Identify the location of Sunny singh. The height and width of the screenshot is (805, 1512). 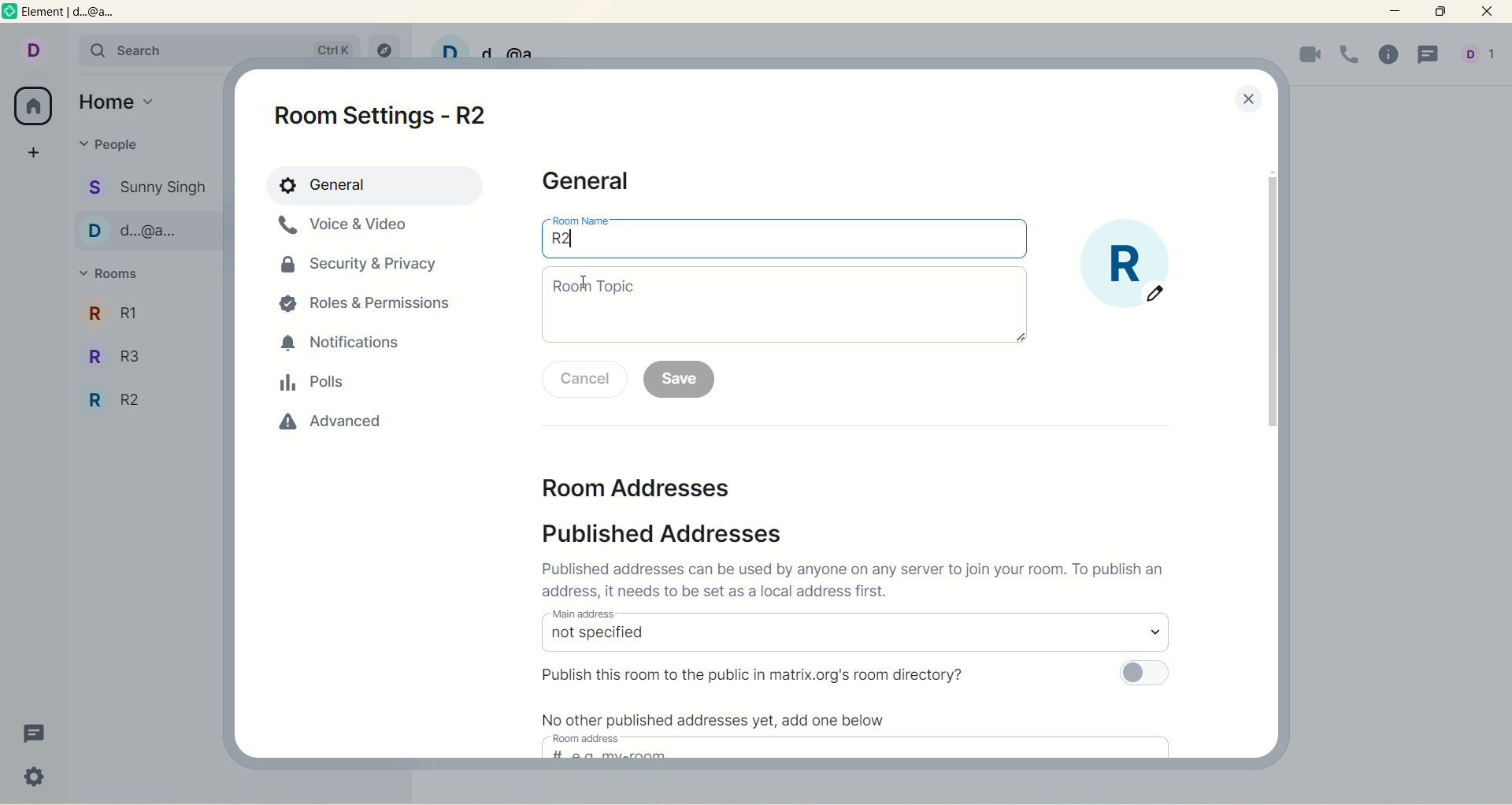
(148, 187).